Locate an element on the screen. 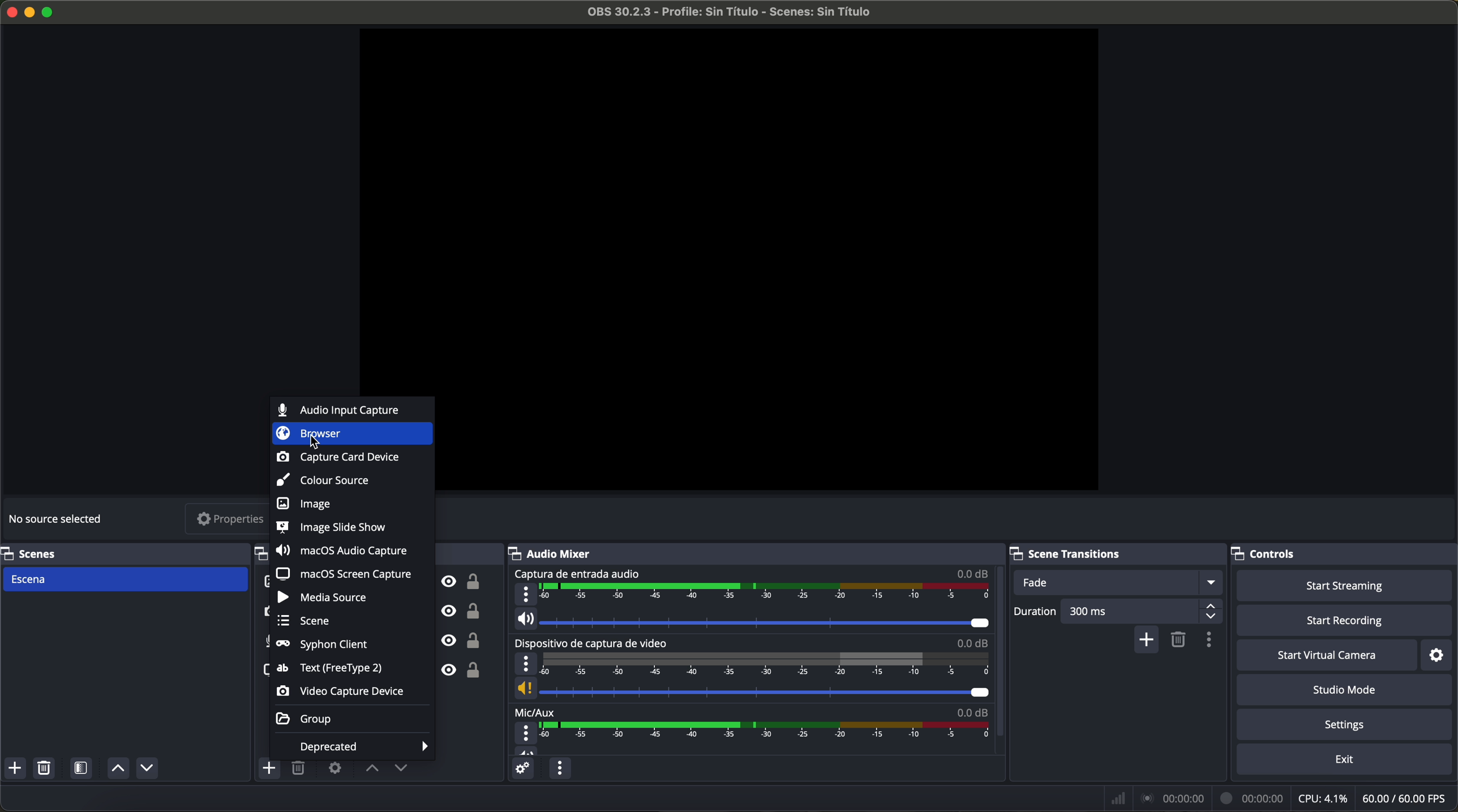 This screenshot has height=812, width=1458. vol is located at coordinates (752, 689).